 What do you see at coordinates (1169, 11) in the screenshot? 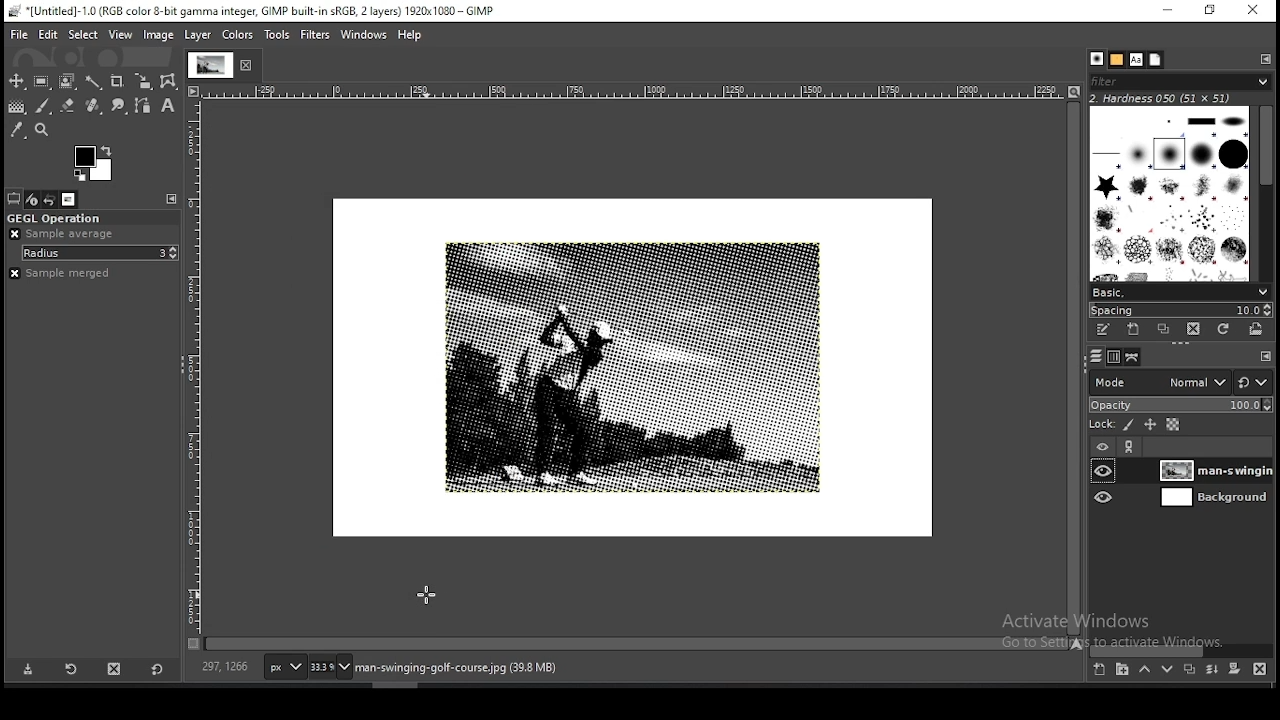
I see `minimize` at bounding box center [1169, 11].